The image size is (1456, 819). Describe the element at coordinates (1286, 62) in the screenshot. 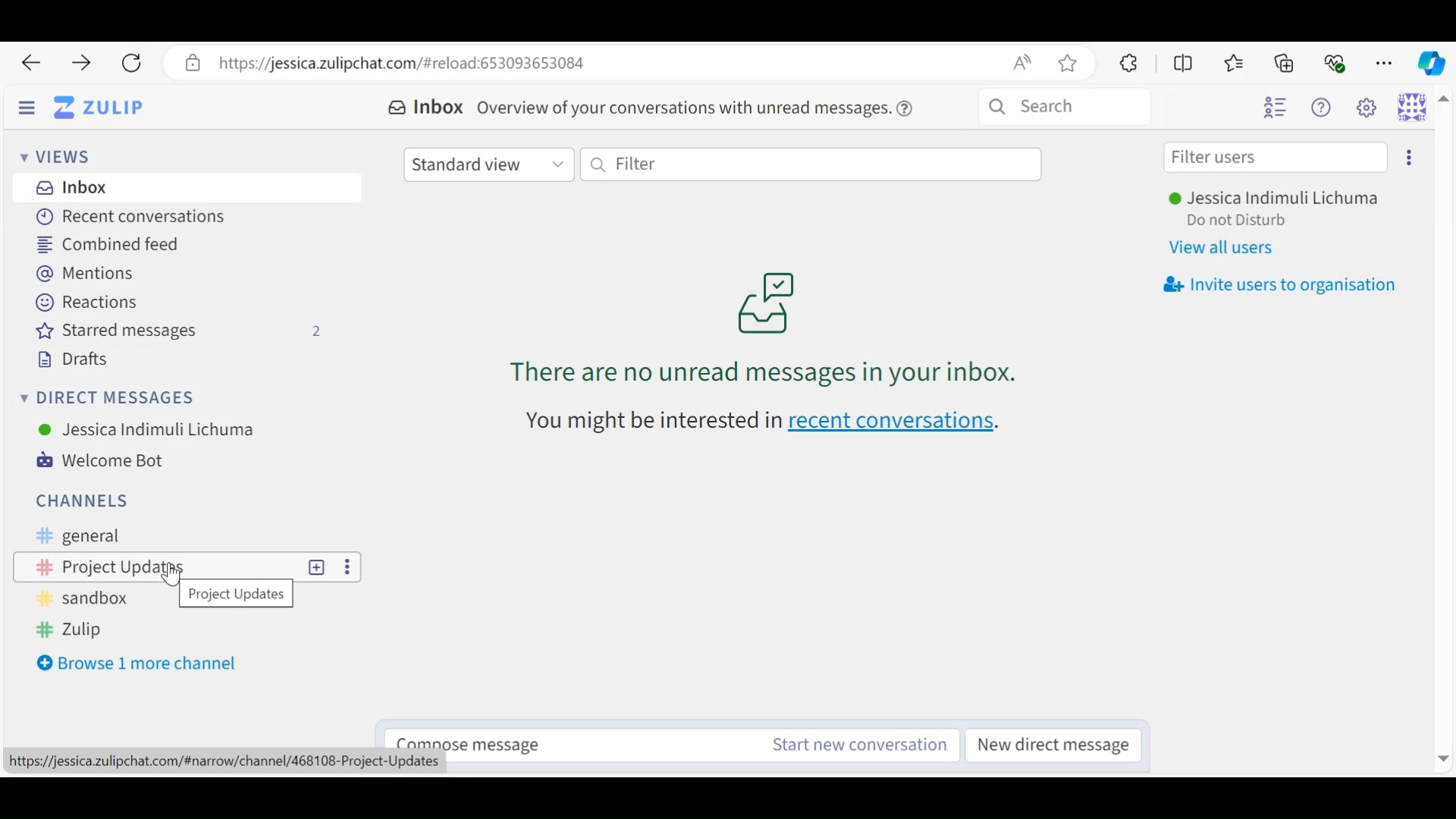

I see `Collections` at that location.